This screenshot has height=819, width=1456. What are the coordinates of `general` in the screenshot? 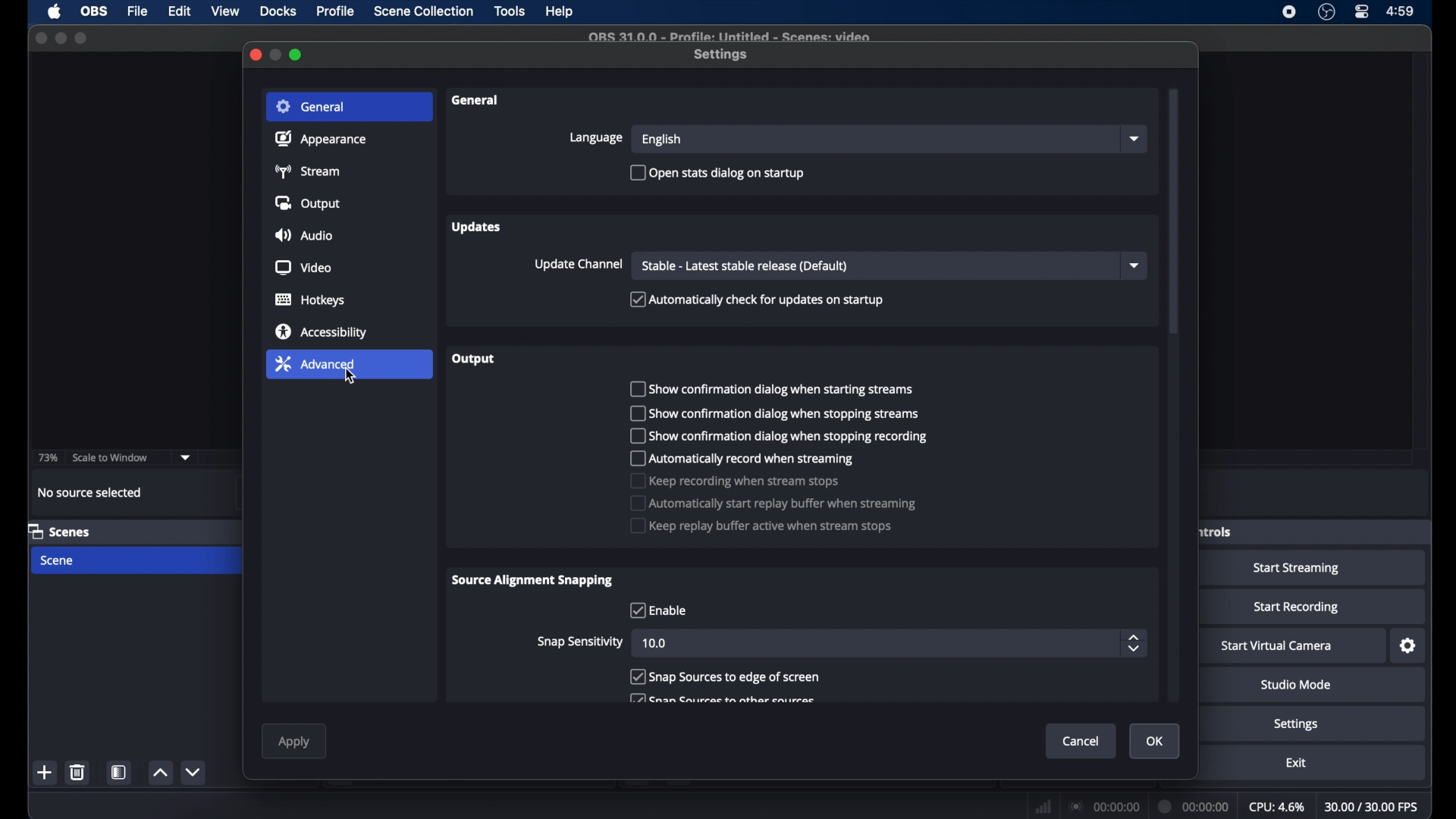 It's located at (477, 101).